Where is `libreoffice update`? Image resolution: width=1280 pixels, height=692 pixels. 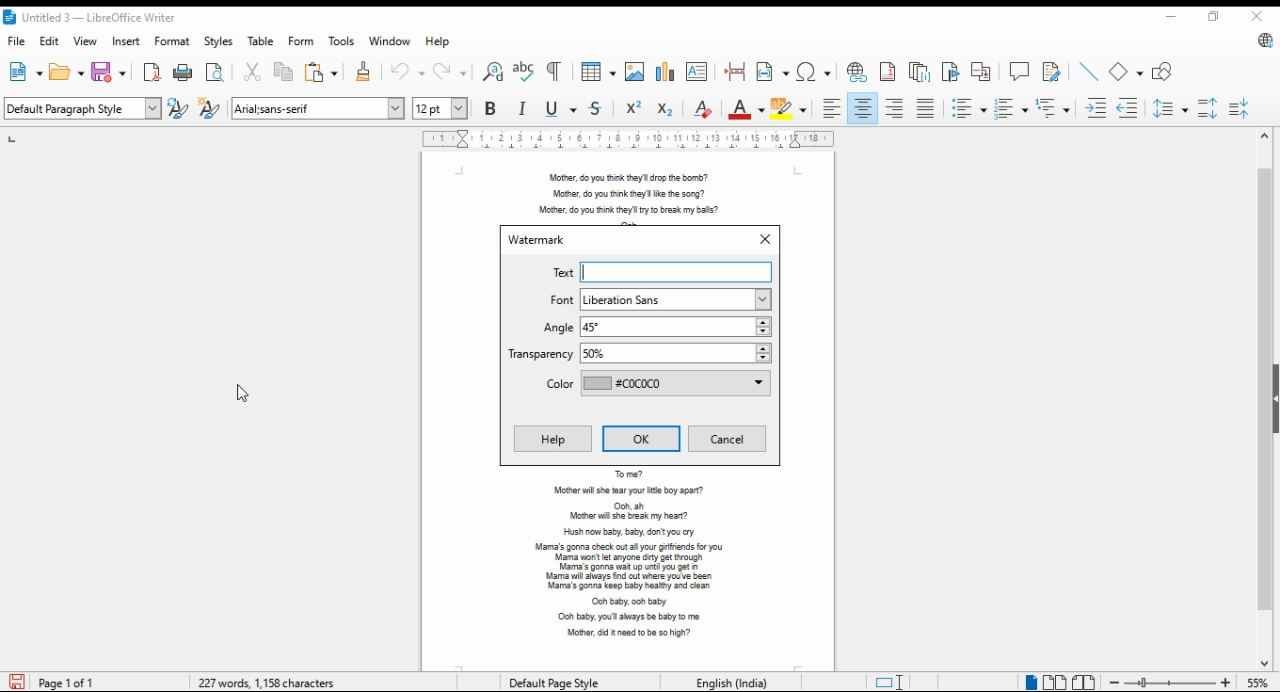
libreoffice update is located at coordinates (1262, 41).